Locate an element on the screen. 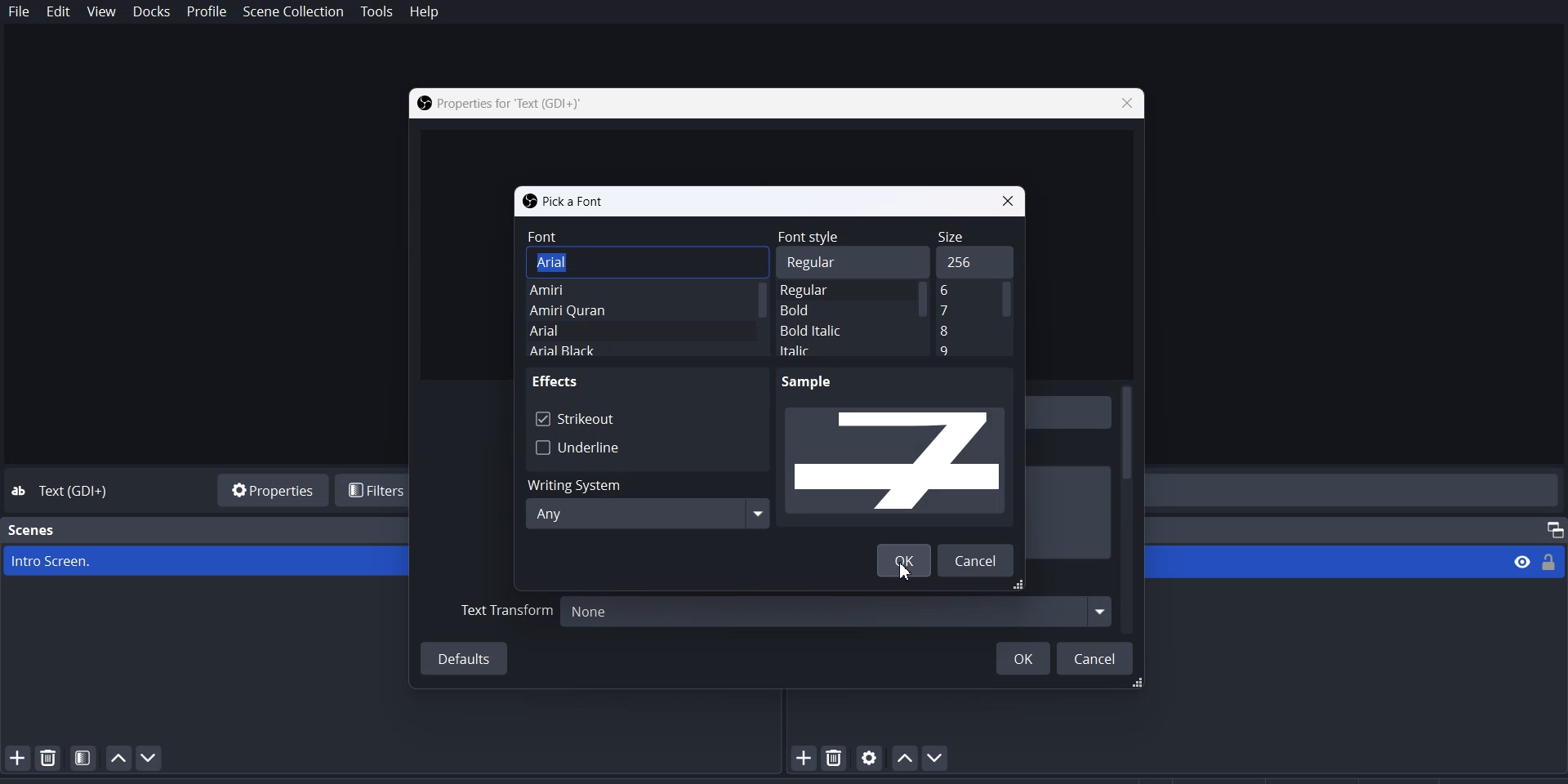 The height and width of the screenshot is (784, 1568). None is located at coordinates (834, 610).